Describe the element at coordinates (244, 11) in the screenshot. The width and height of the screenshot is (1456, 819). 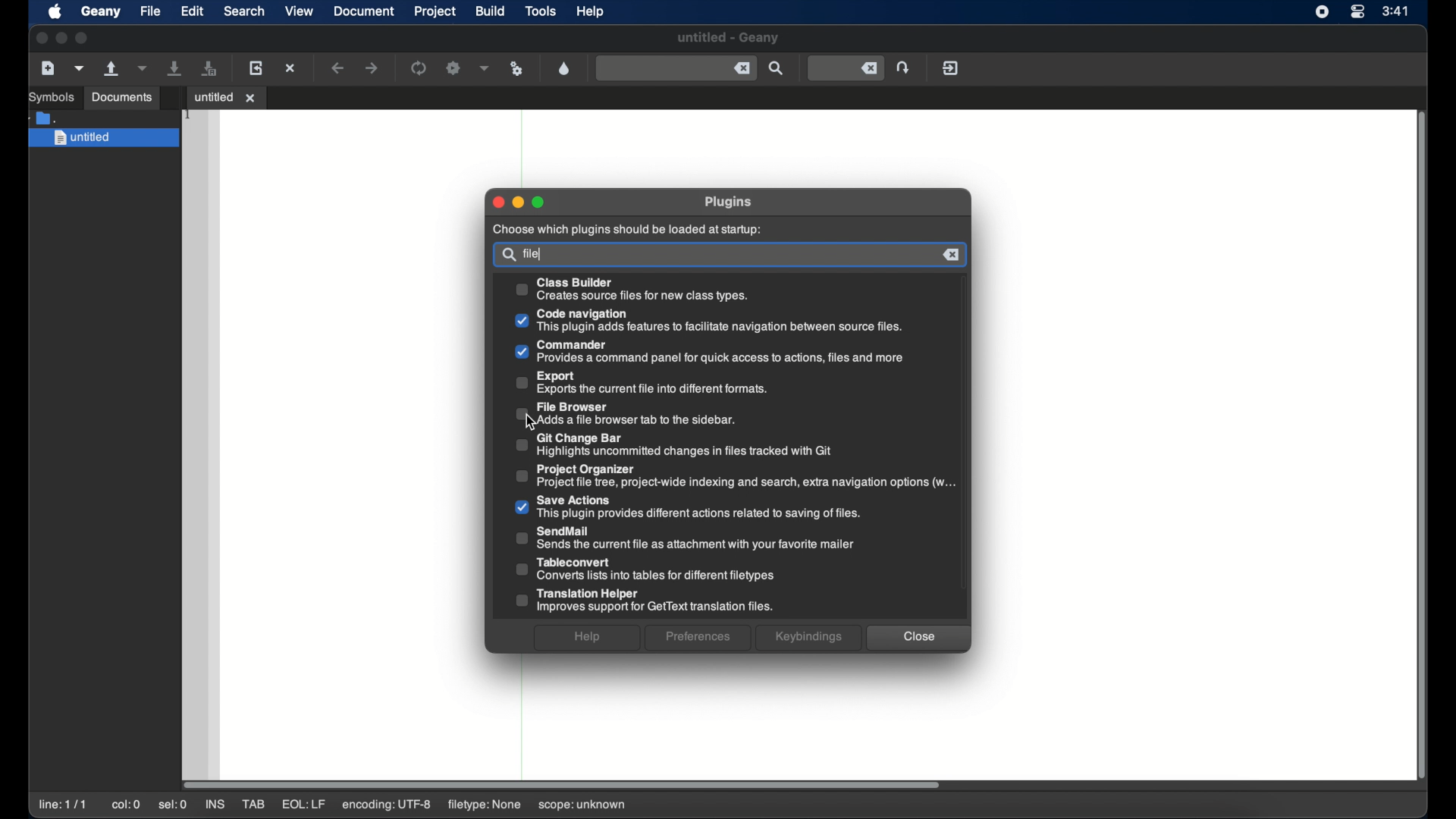
I see `search` at that location.